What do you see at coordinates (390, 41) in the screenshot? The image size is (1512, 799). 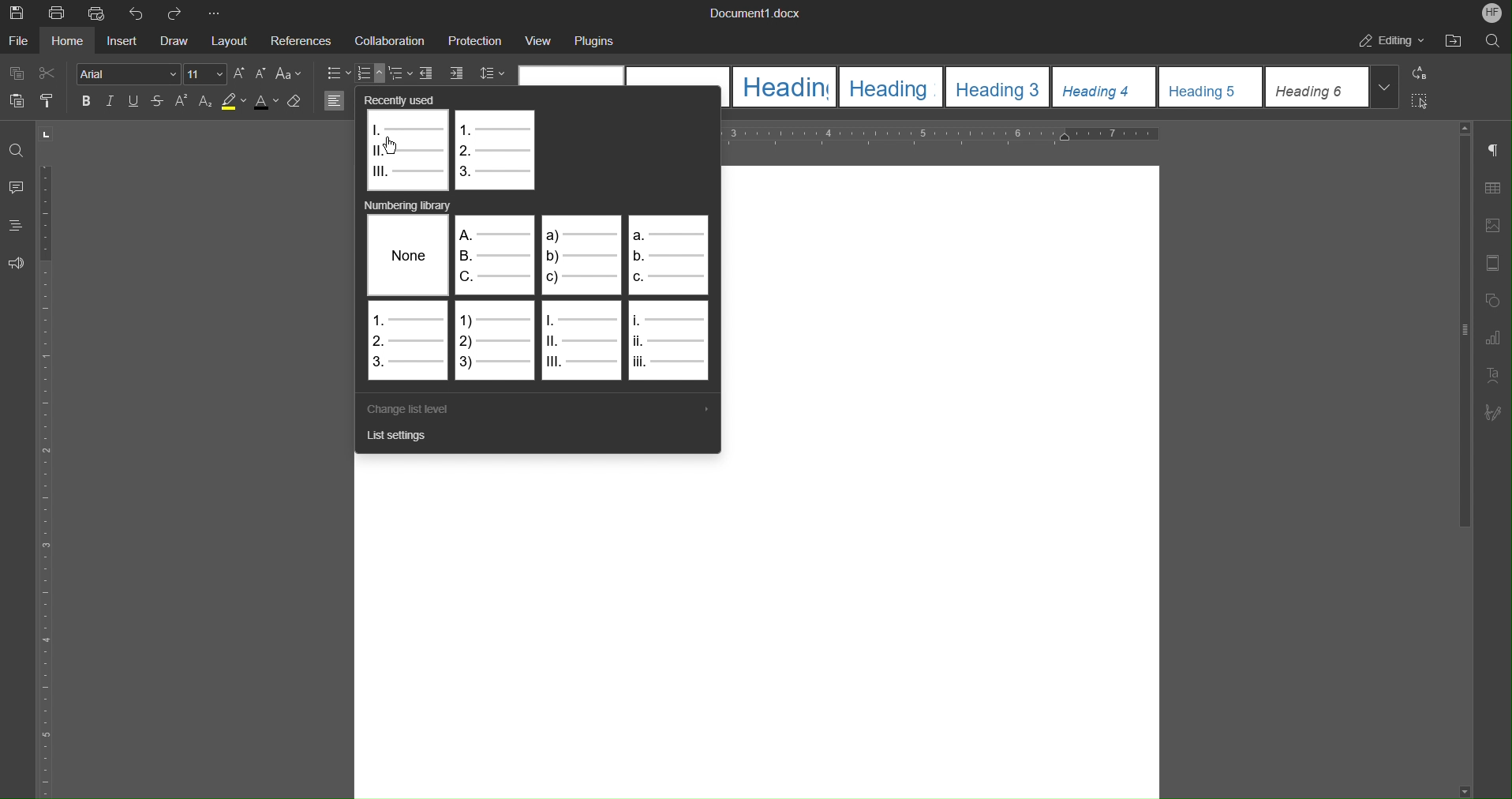 I see `Collaboration` at bounding box center [390, 41].